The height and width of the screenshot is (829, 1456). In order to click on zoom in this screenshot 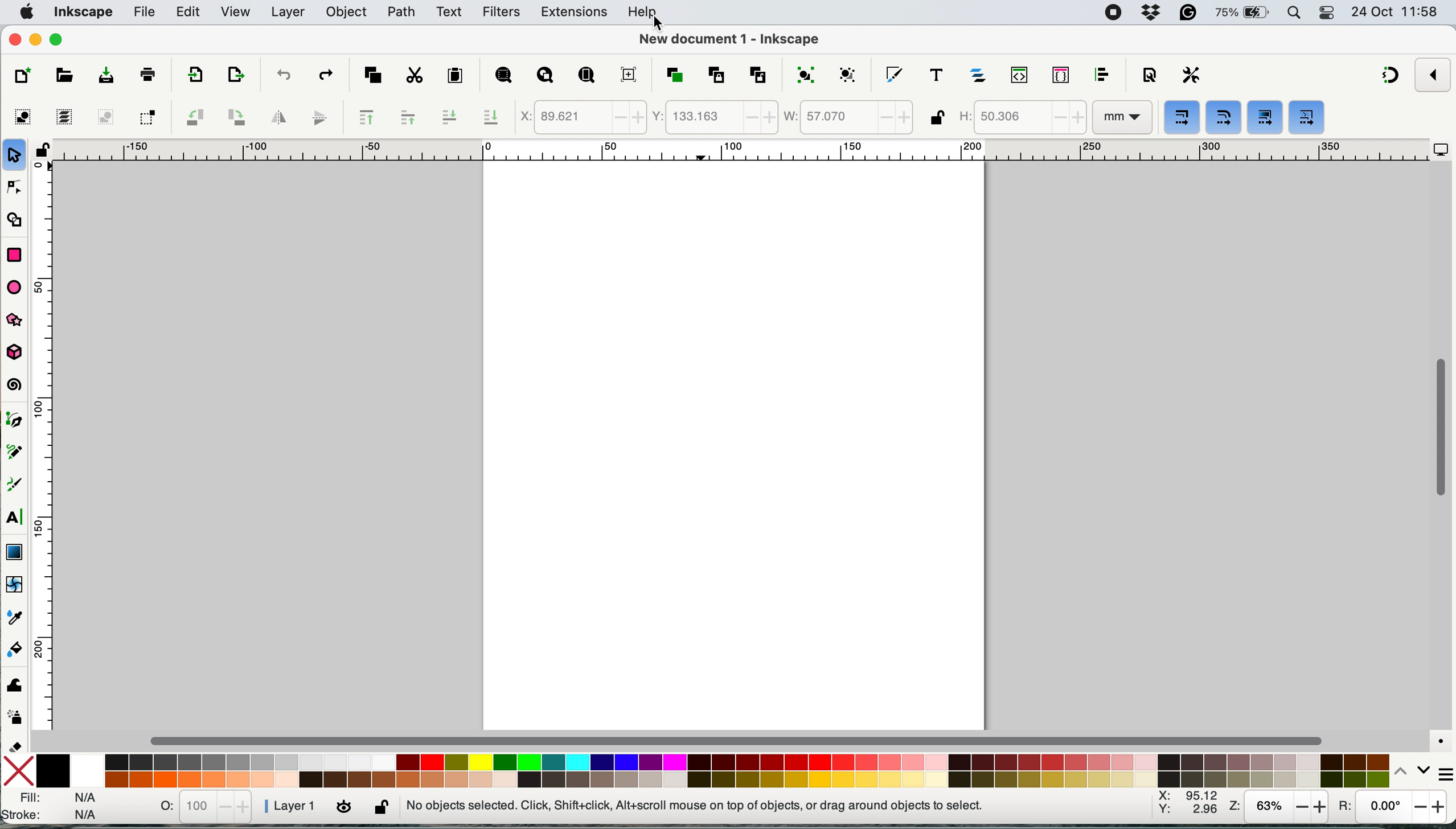, I will do `click(1275, 808)`.